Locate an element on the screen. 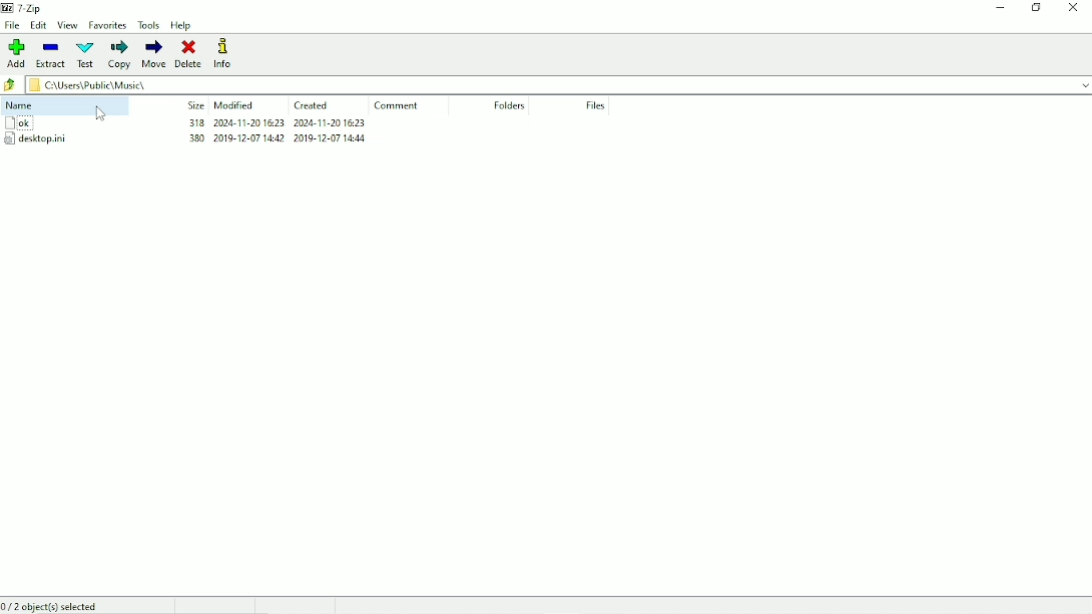 The height and width of the screenshot is (614, 1092). Created is located at coordinates (313, 105).